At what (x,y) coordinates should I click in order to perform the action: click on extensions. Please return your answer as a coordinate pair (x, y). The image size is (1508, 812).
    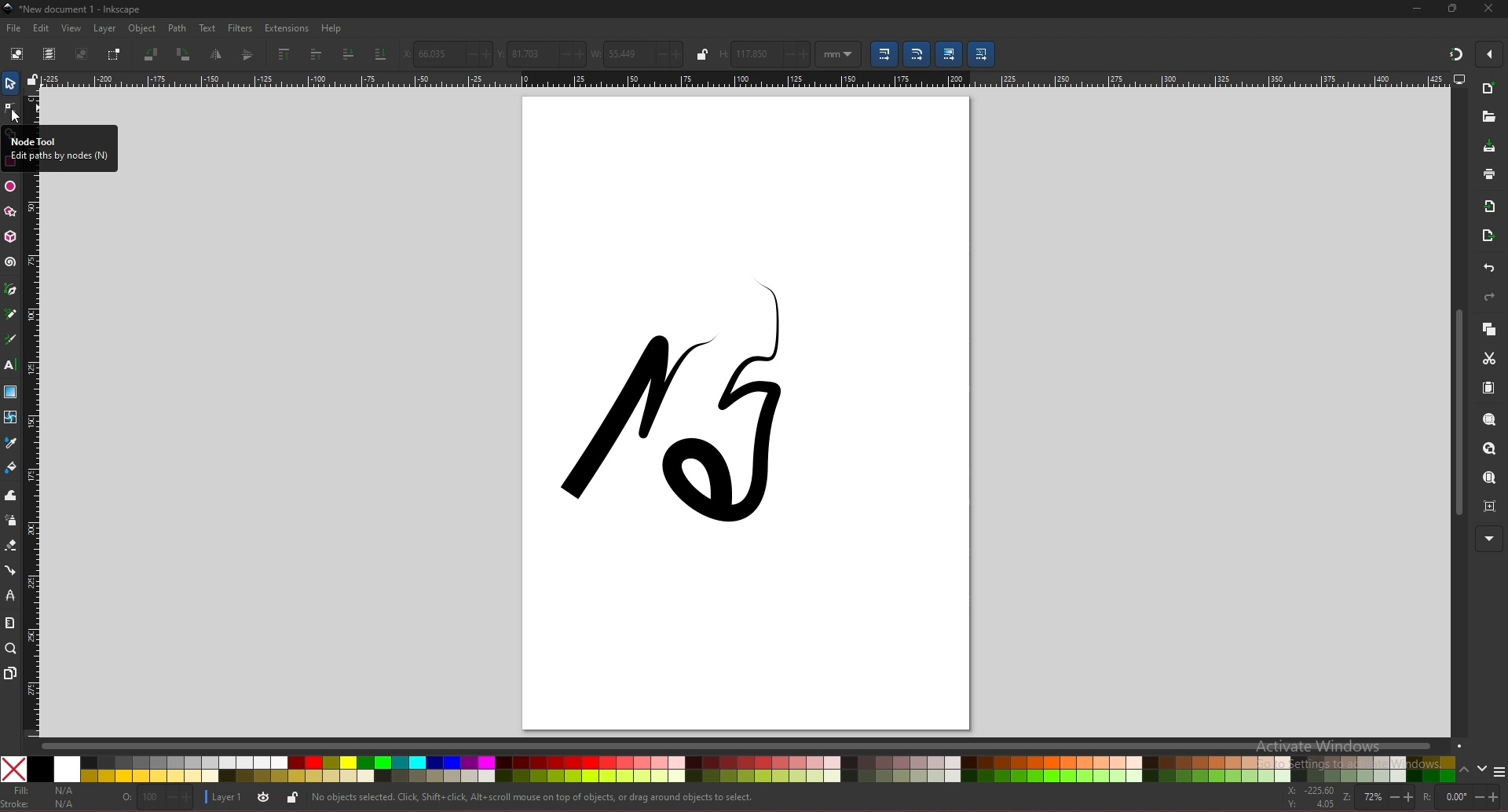
    Looking at the image, I should click on (287, 28).